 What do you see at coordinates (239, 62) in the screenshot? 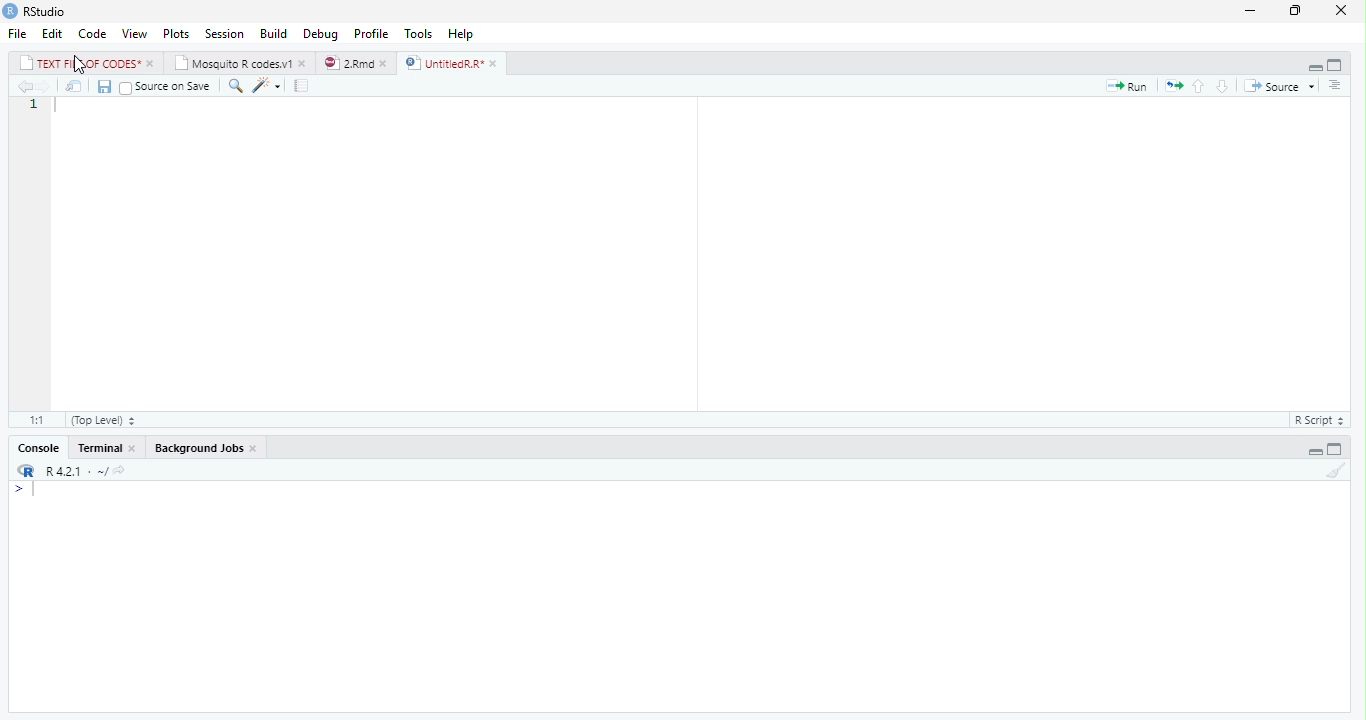
I see `Mosquito R codes.v1` at bounding box center [239, 62].